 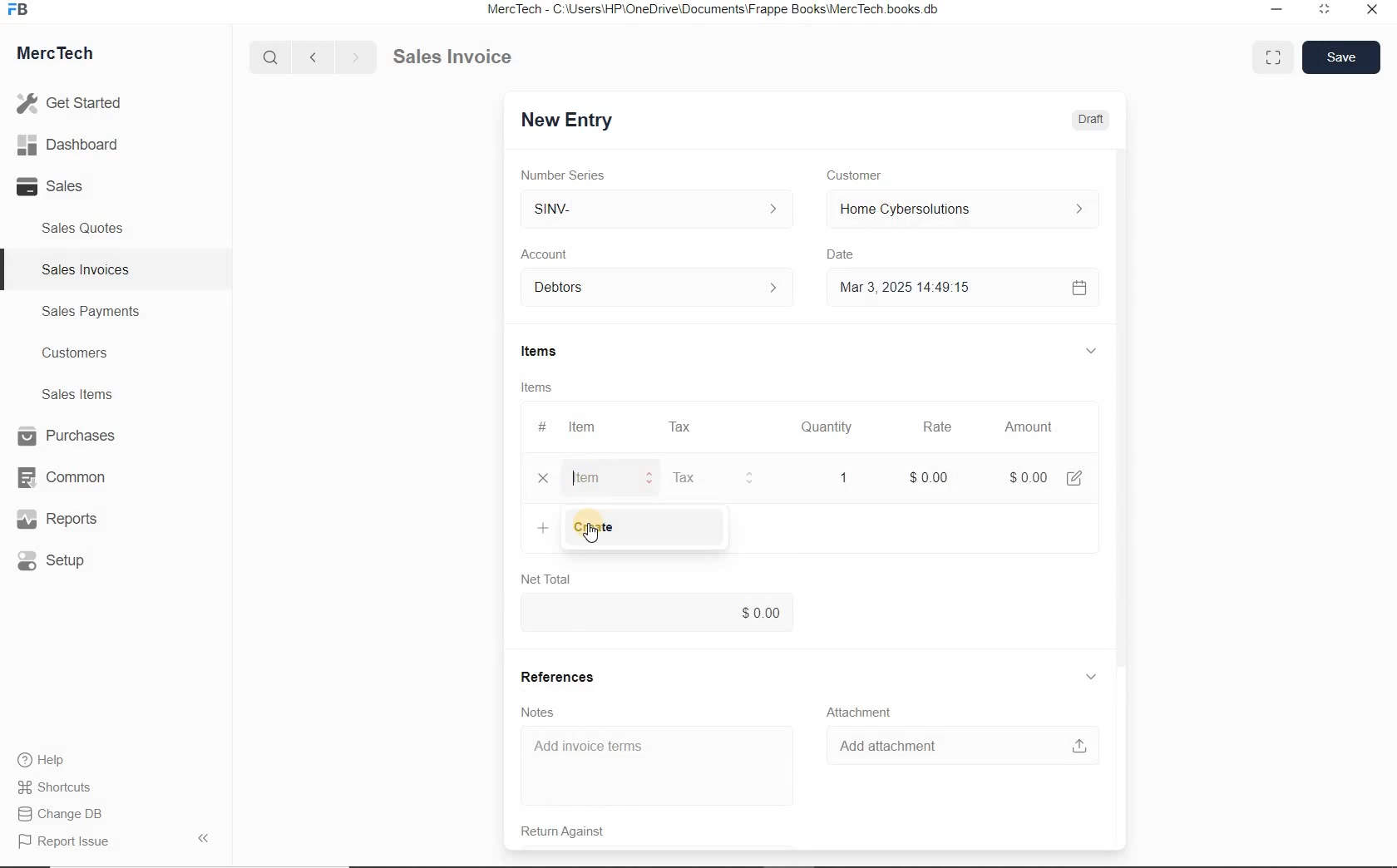 What do you see at coordinates (69, 476) in the screenshot?
I see `Common` at bounding box center [69, 476].